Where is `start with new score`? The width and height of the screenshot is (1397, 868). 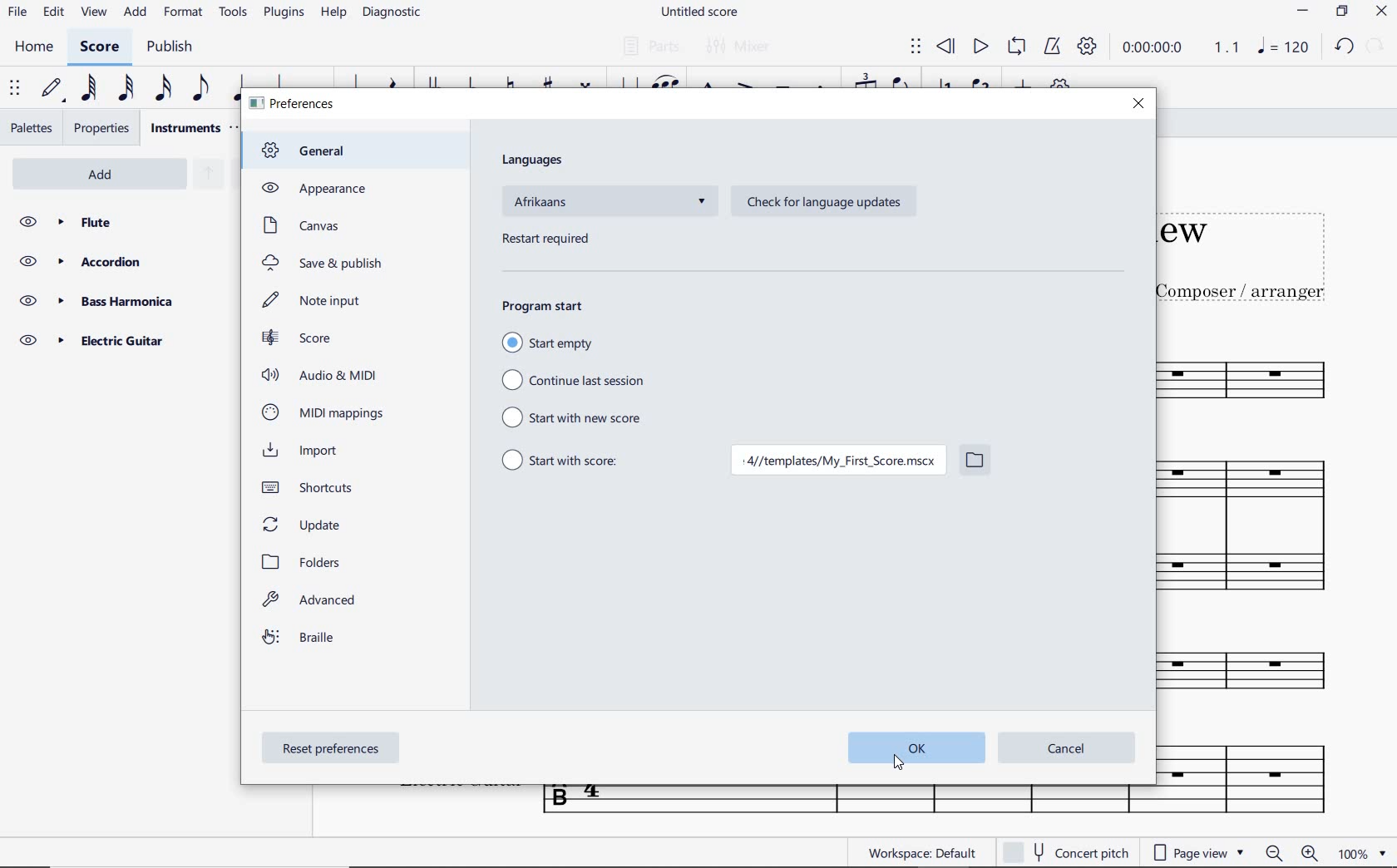 start with new score is located at coordinates (575, 418).